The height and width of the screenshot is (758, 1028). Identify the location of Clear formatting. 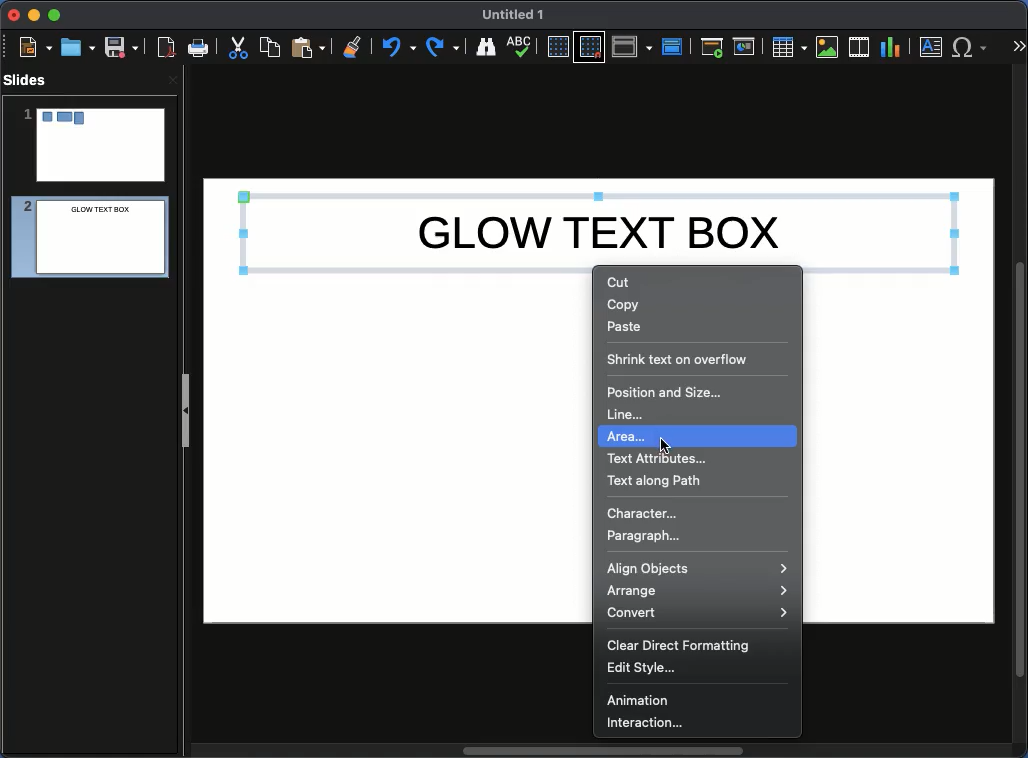
(353, 45).